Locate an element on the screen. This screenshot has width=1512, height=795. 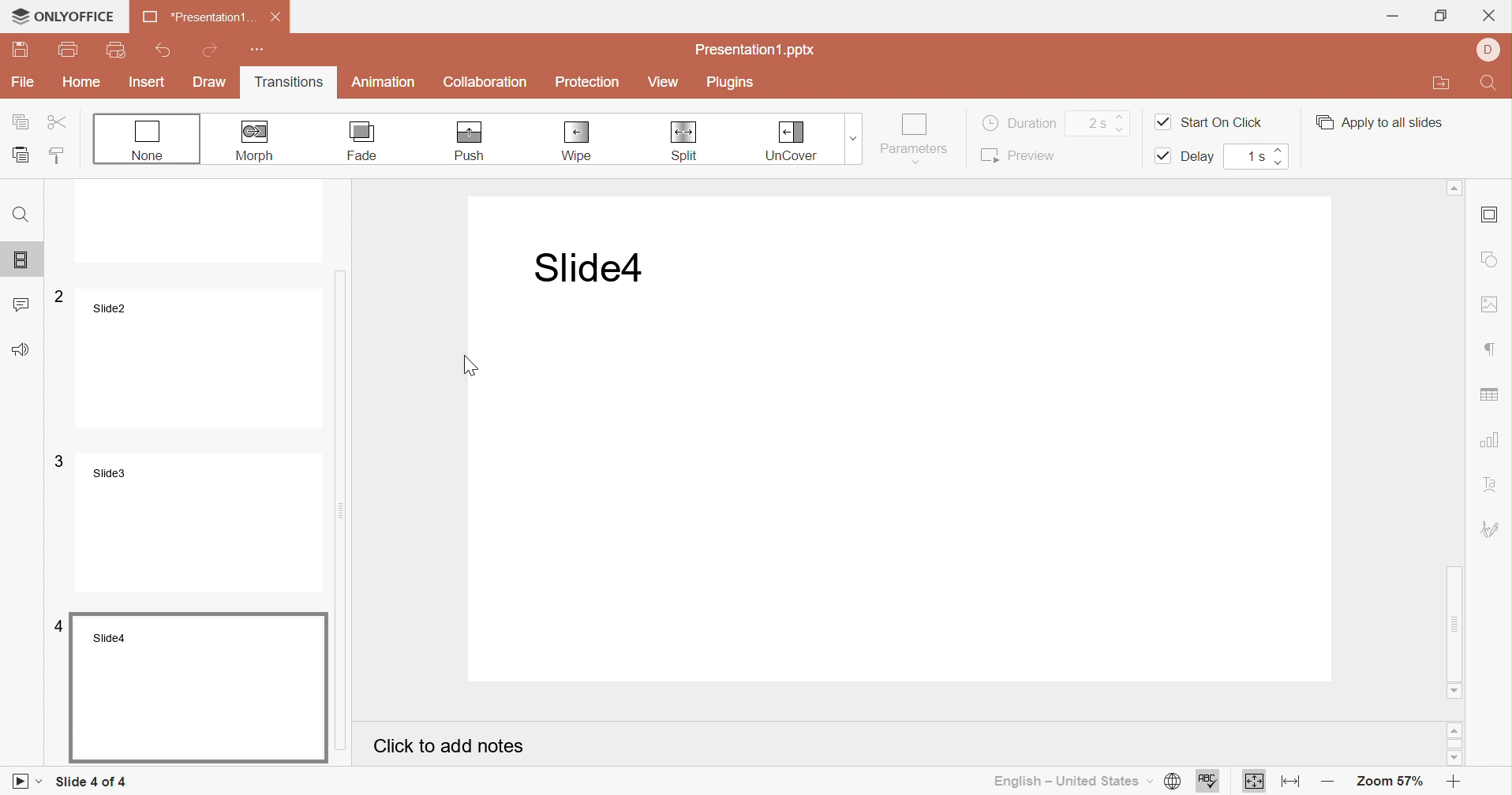
Transitions is located at coordinates (288, 84).